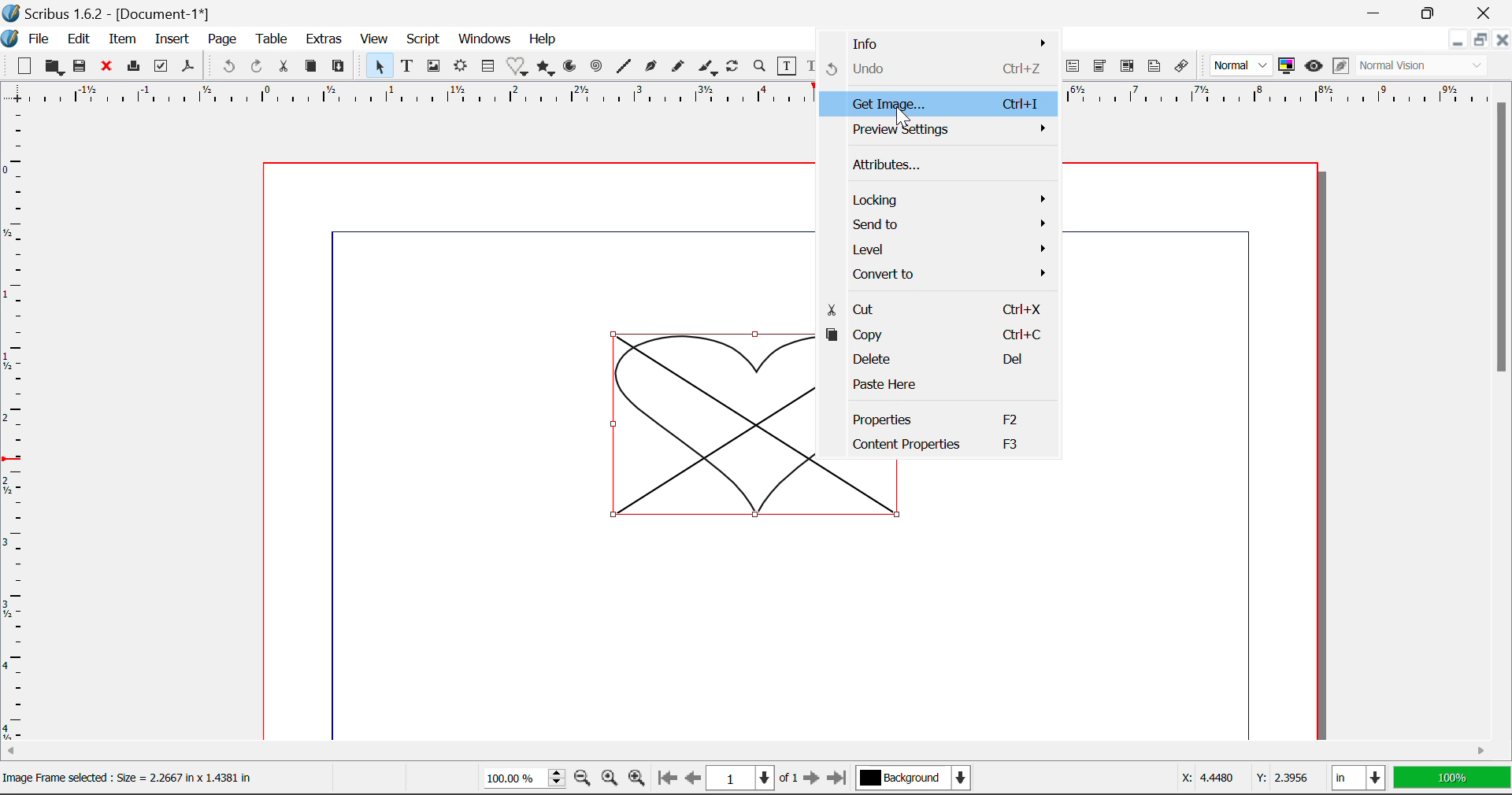 The width and height of the screenshot is (1512, 795). What do you see at coordinates (1182, 67) in the screenshot?
I see `Link Annotation` at bounding box center [1182, 67].